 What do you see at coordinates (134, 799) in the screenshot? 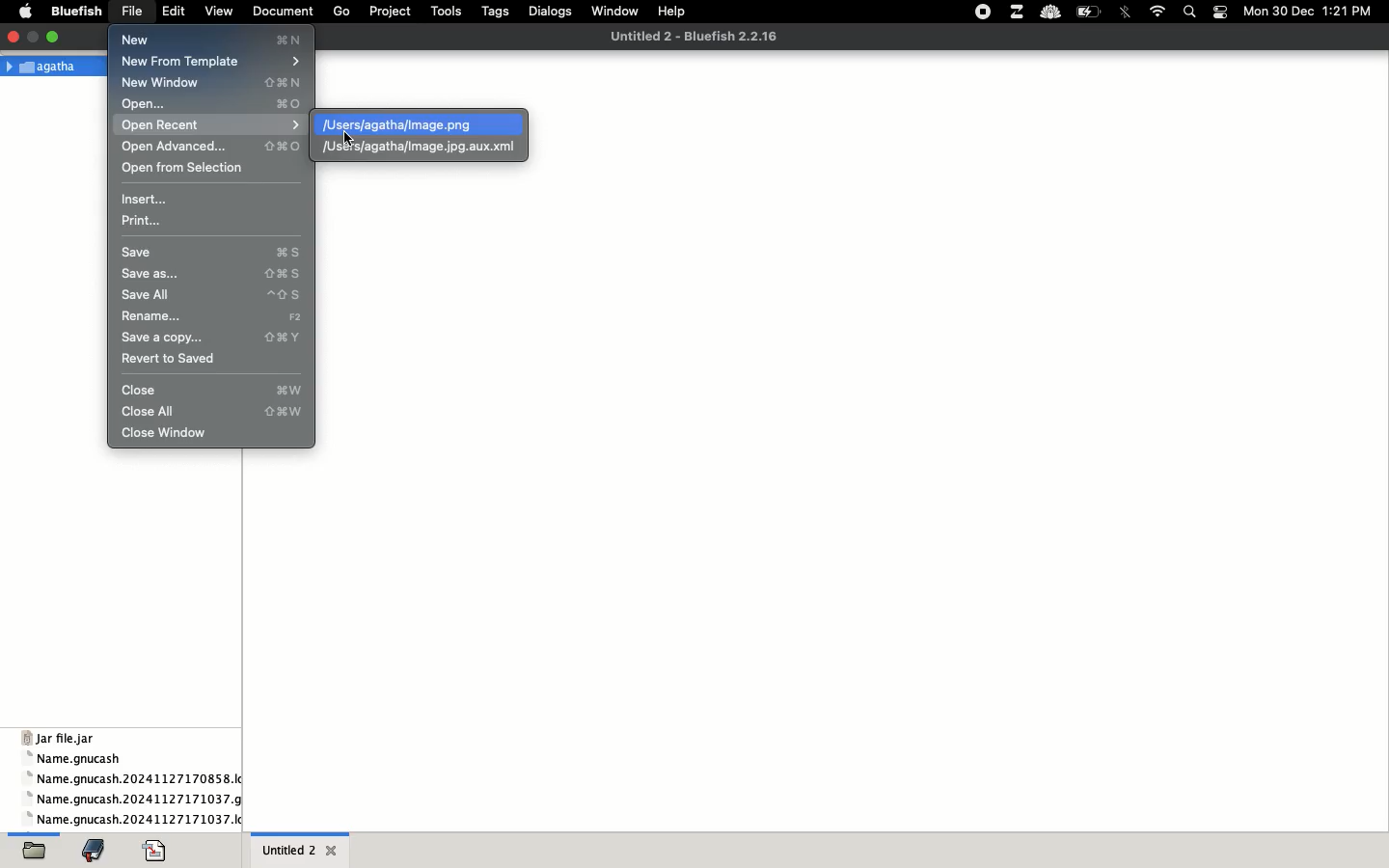
I see `name gnucash` at bounding box center [134, 799].